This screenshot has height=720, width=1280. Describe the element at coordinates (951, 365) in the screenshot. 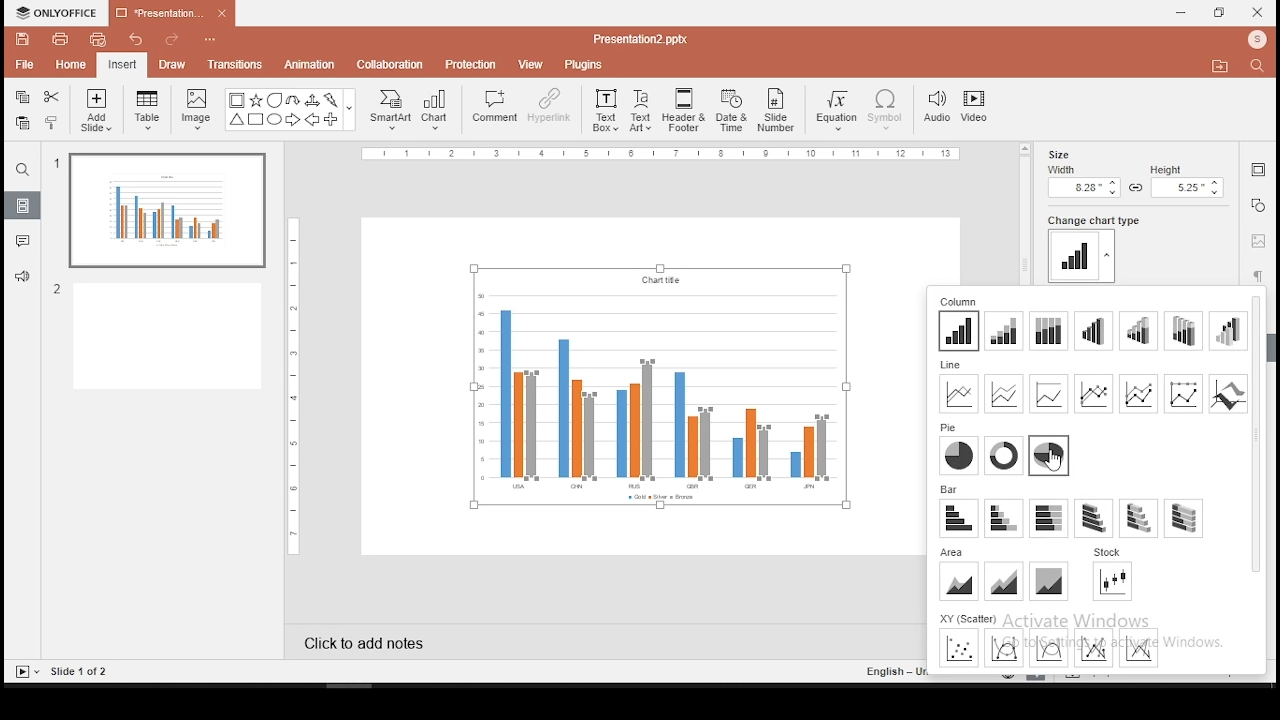

I see `line` at that location.